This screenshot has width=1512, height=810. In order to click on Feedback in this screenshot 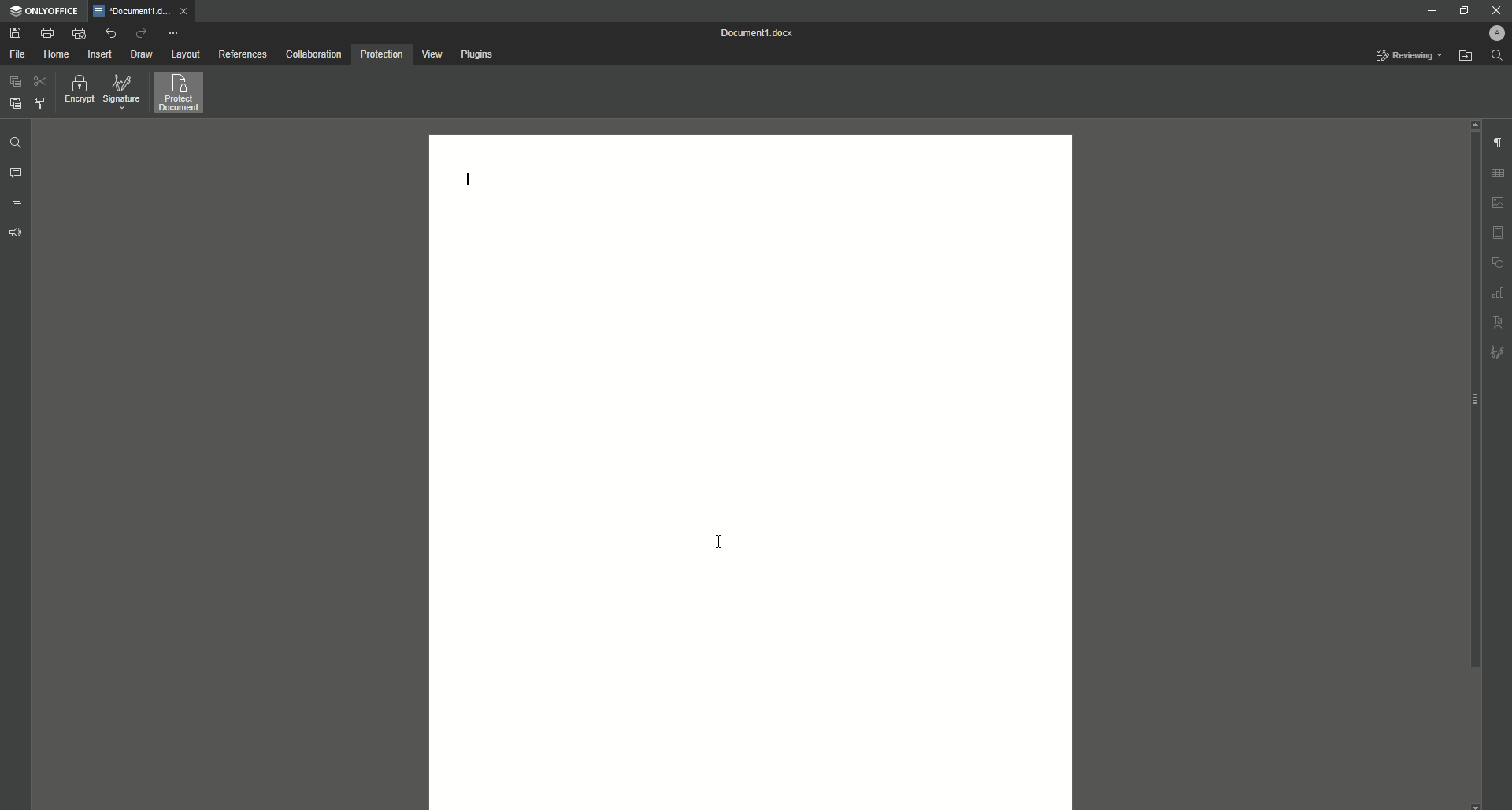, I will do `click(15, 234)`.